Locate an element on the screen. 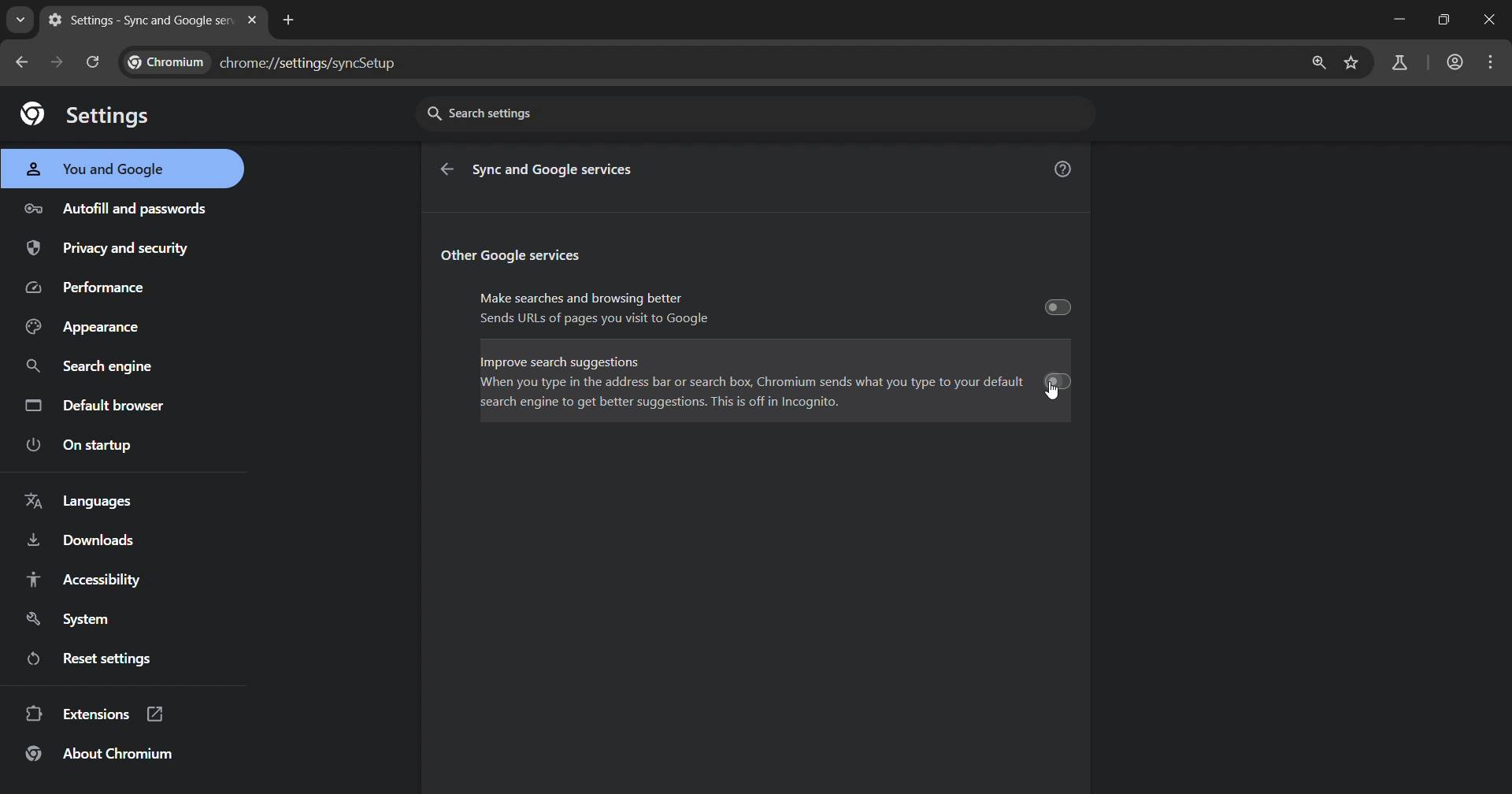 The image size is (1512, 794). performance  is located at coordinates (88, 288).